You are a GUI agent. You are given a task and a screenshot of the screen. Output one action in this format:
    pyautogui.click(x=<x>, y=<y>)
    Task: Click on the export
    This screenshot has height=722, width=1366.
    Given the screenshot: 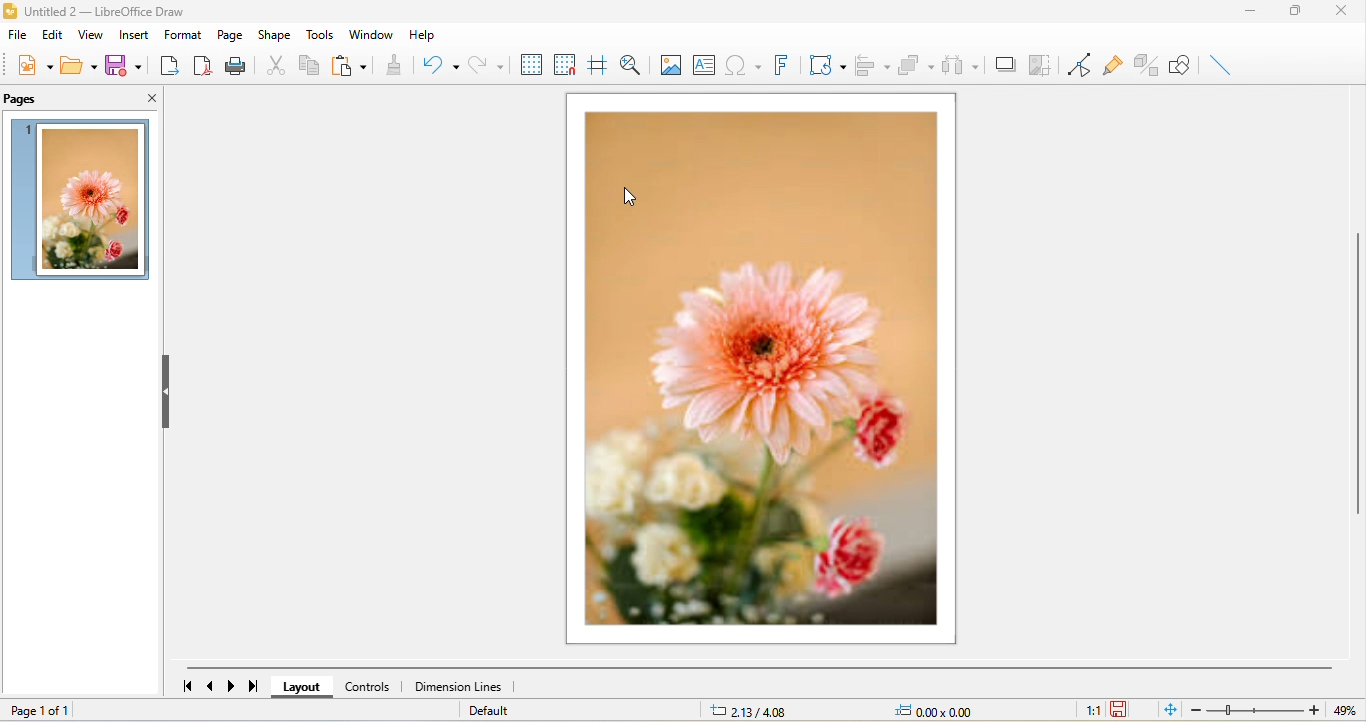 What is the action you would take?
    pyautogui.click(x=165, y=63)
    